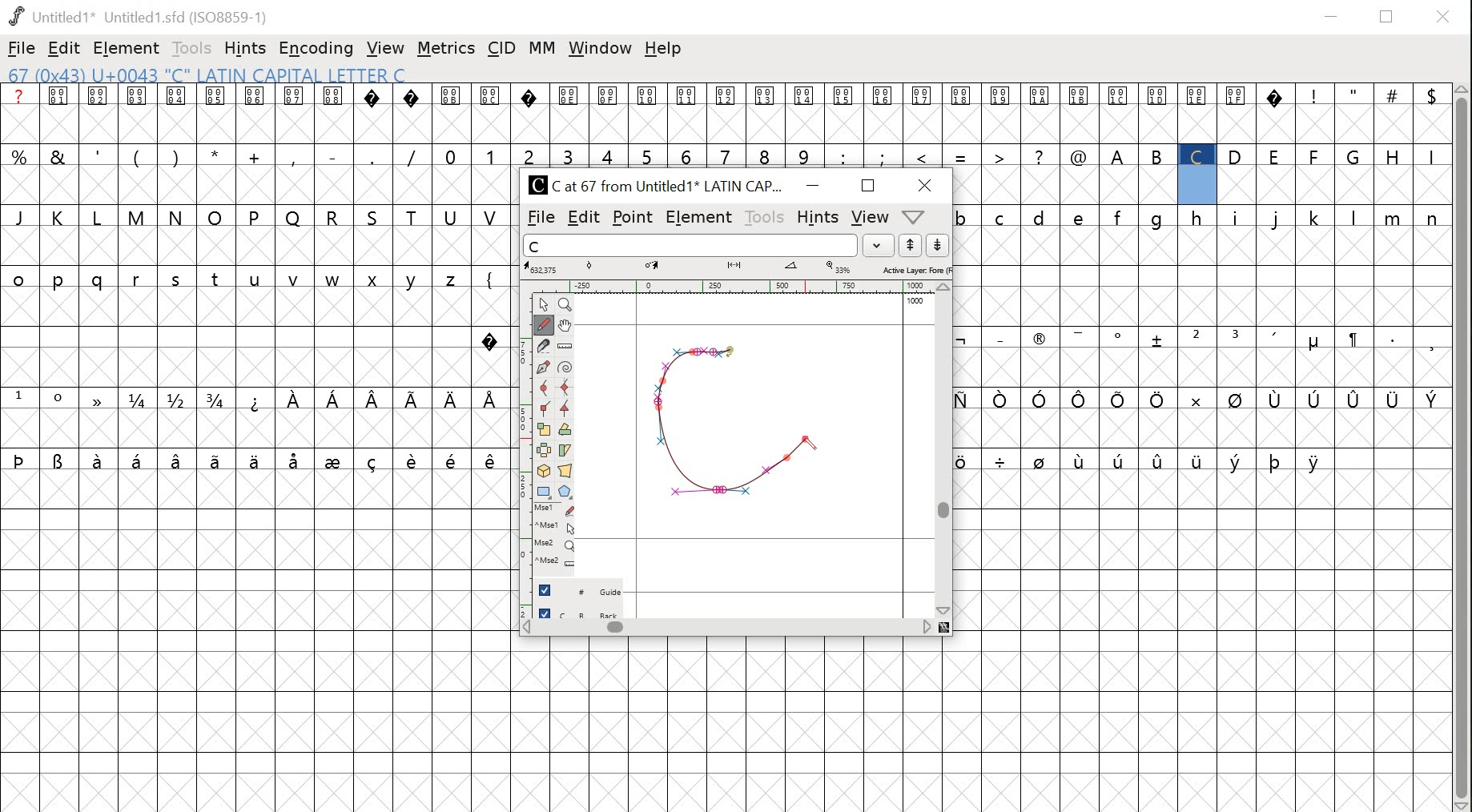 Image resolution: width=1472 pixels, height=812 pixels. I want to click on mouse wheel, so click(557, 547).